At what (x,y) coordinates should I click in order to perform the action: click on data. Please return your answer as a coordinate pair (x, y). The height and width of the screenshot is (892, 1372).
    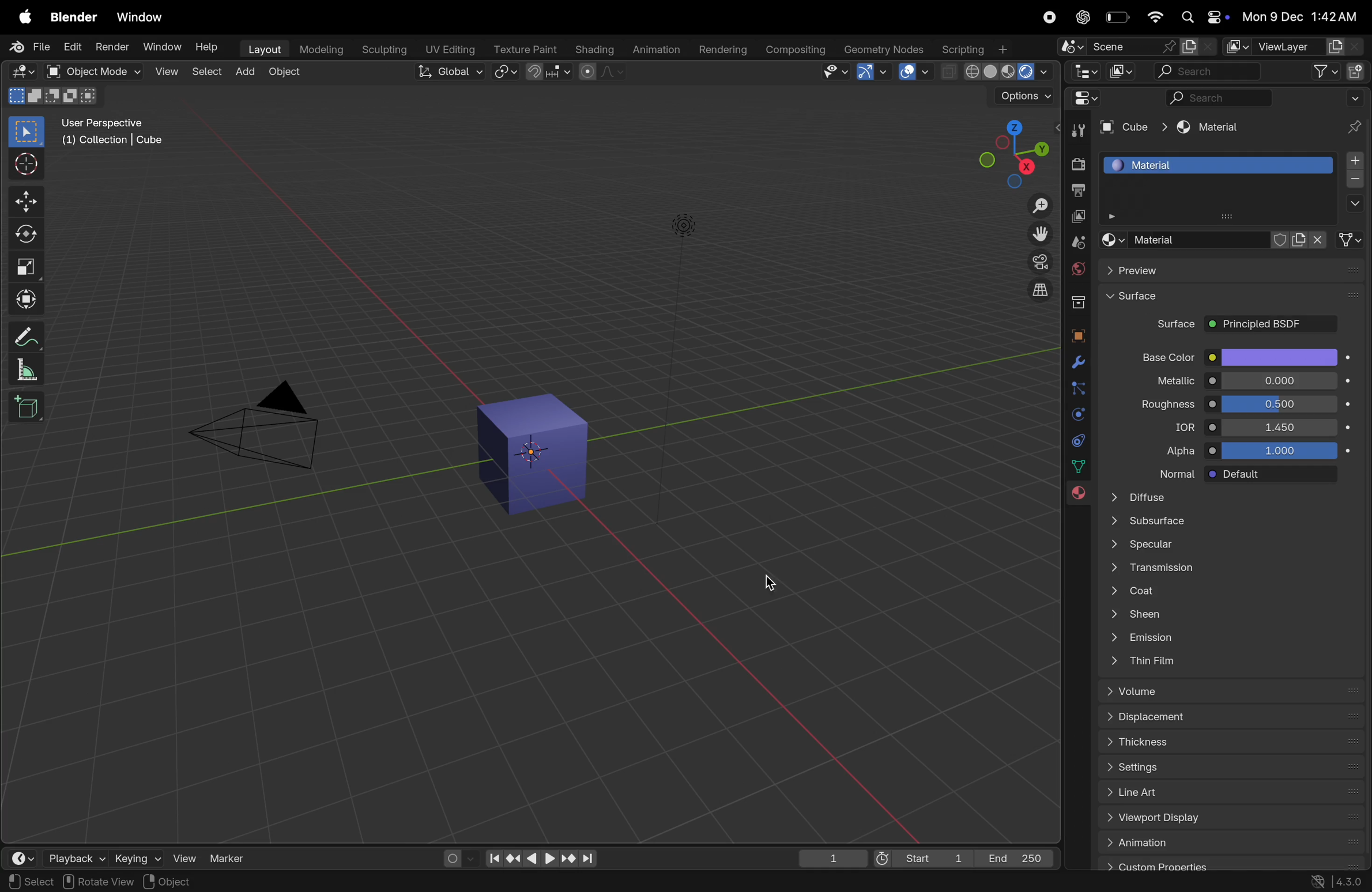
    Looking at the image, I should click on (1080, 466).